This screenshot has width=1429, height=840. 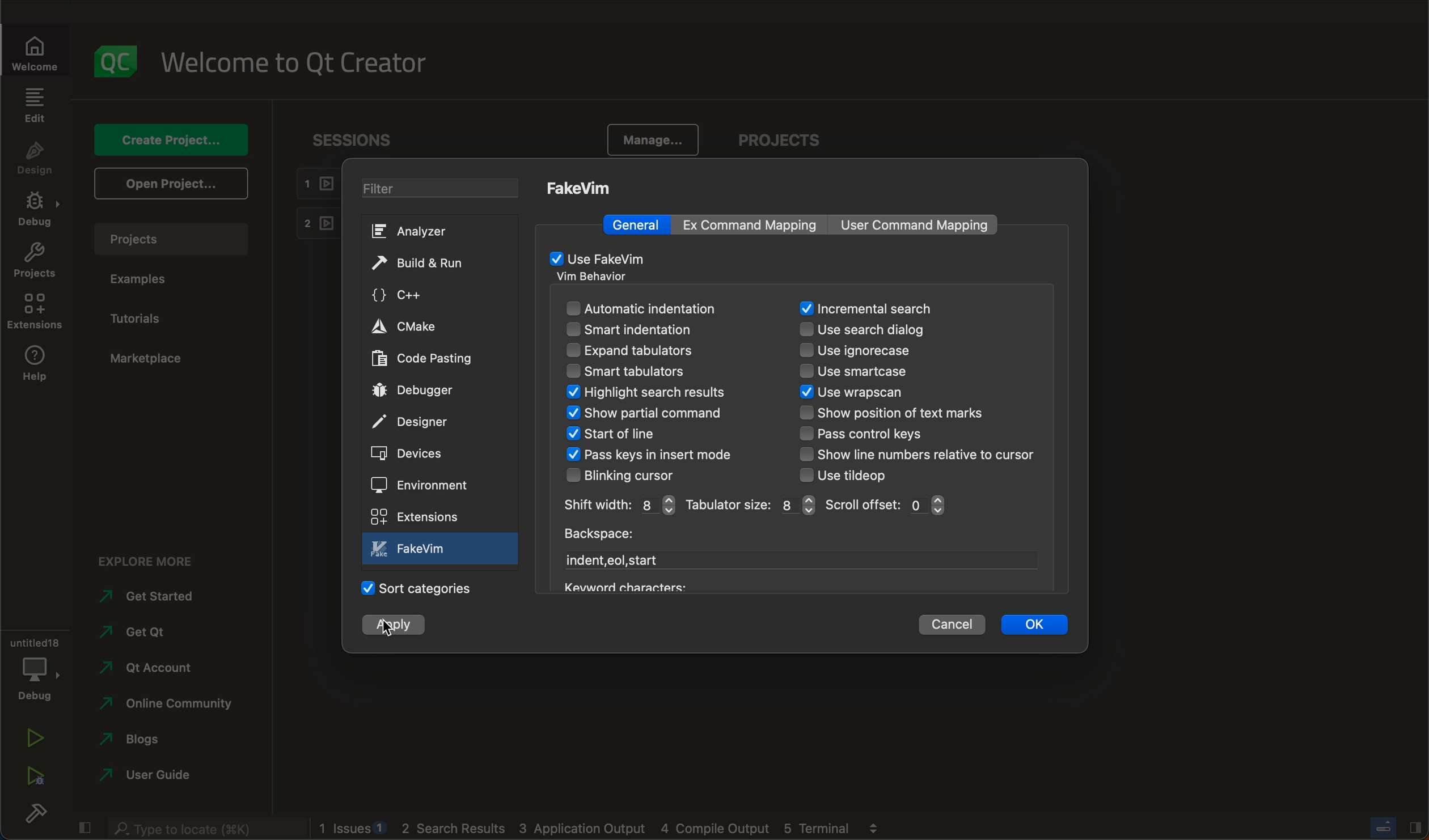 I want to click on smart, so click(x=653, y=329).